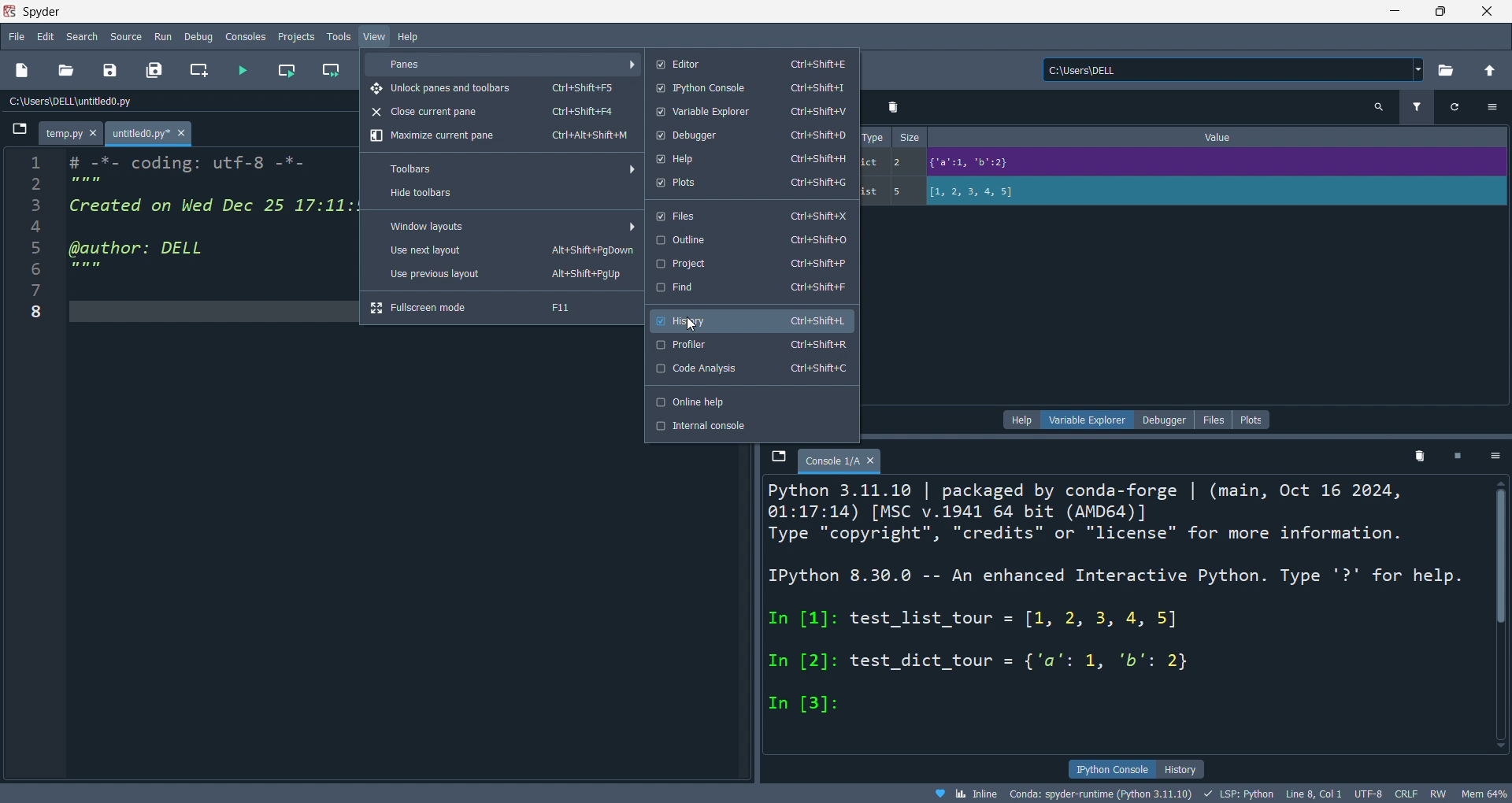 This screenshot has width=1512, height=803. I want to click on scroll bar, so click(1495, 612).